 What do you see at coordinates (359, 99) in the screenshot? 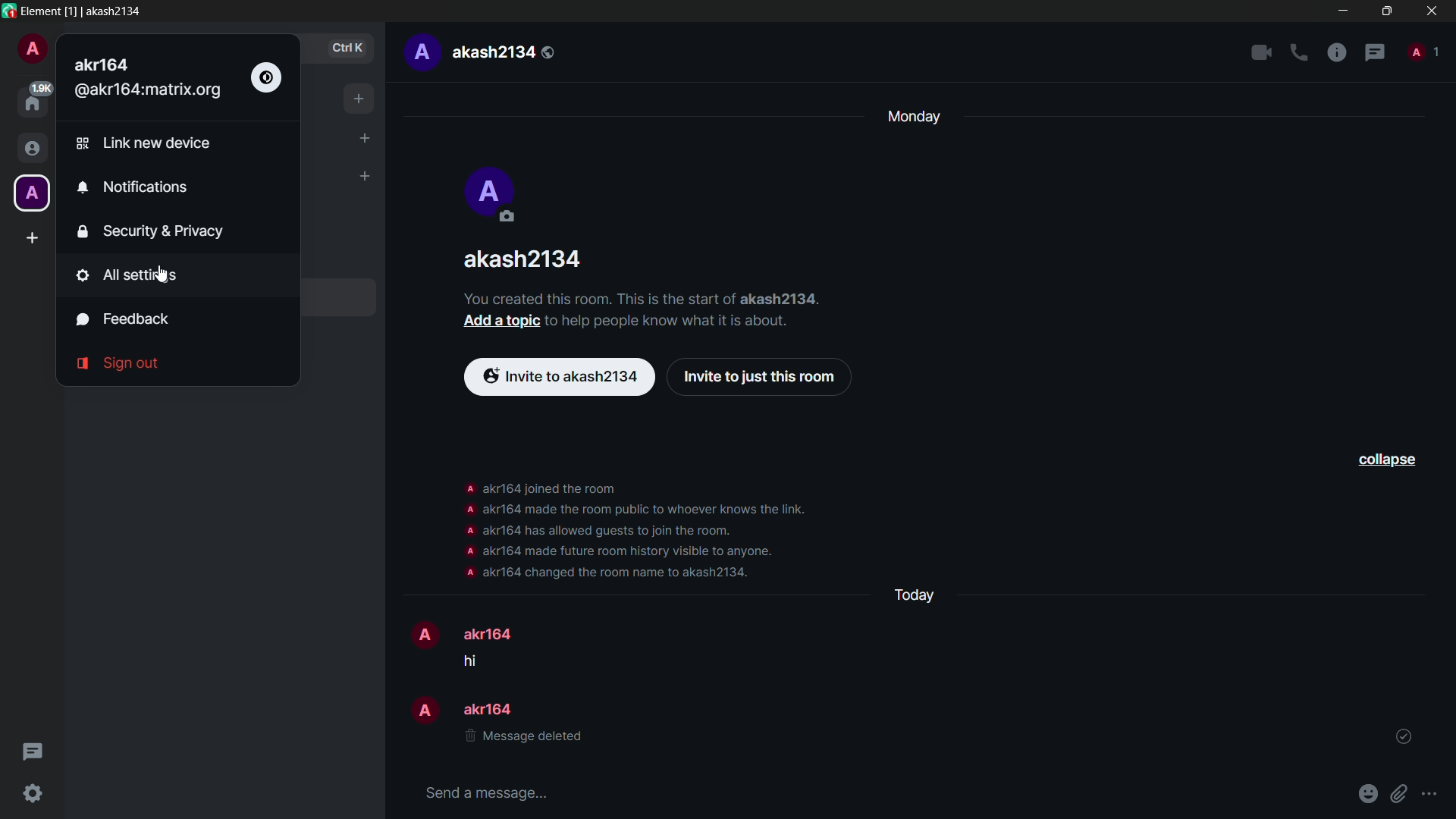
I see `add` at bounding box center [359, 99].